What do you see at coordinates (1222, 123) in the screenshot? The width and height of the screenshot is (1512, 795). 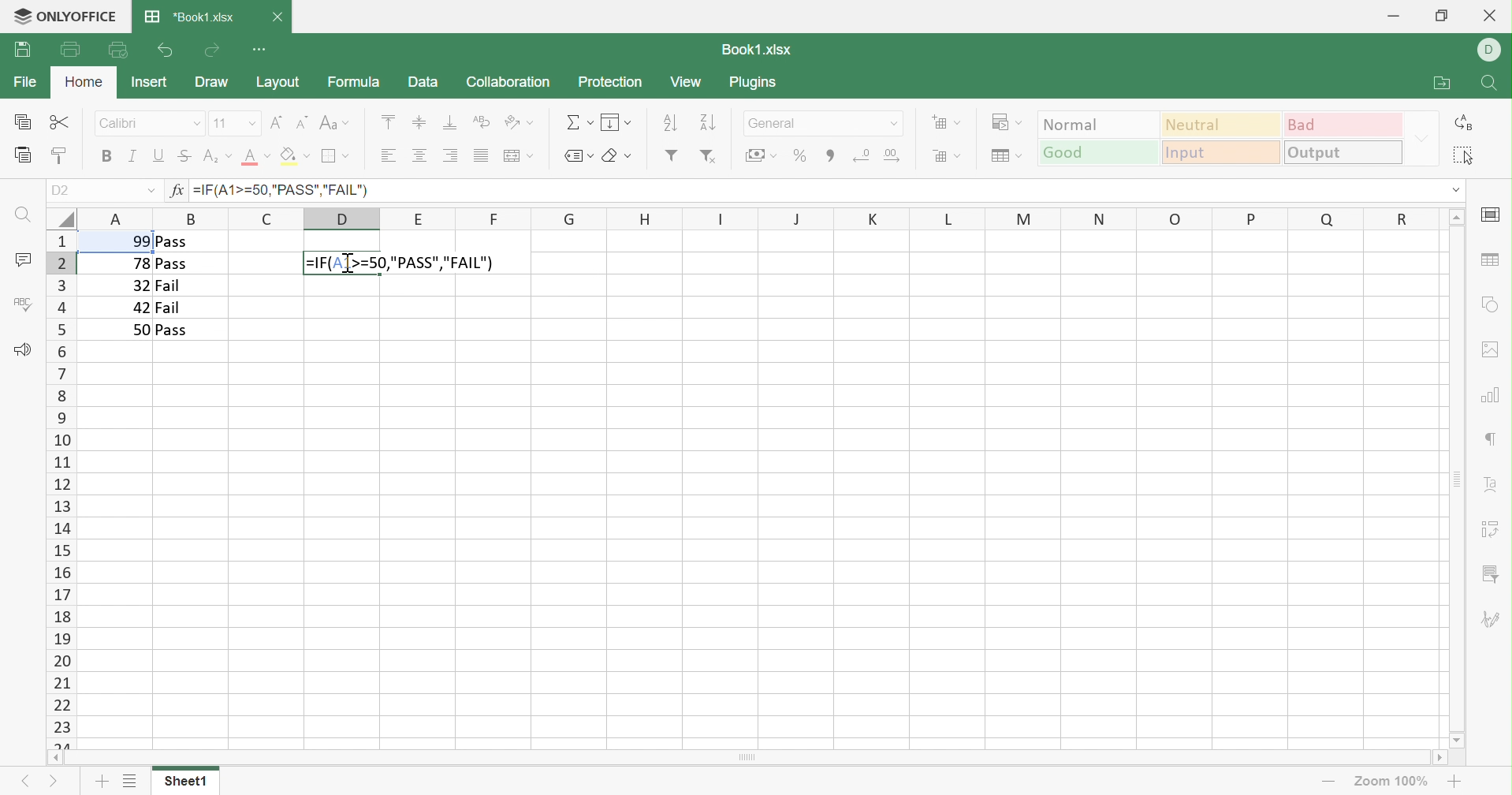 I see `Neutral` at bounding box center [1222, 123].